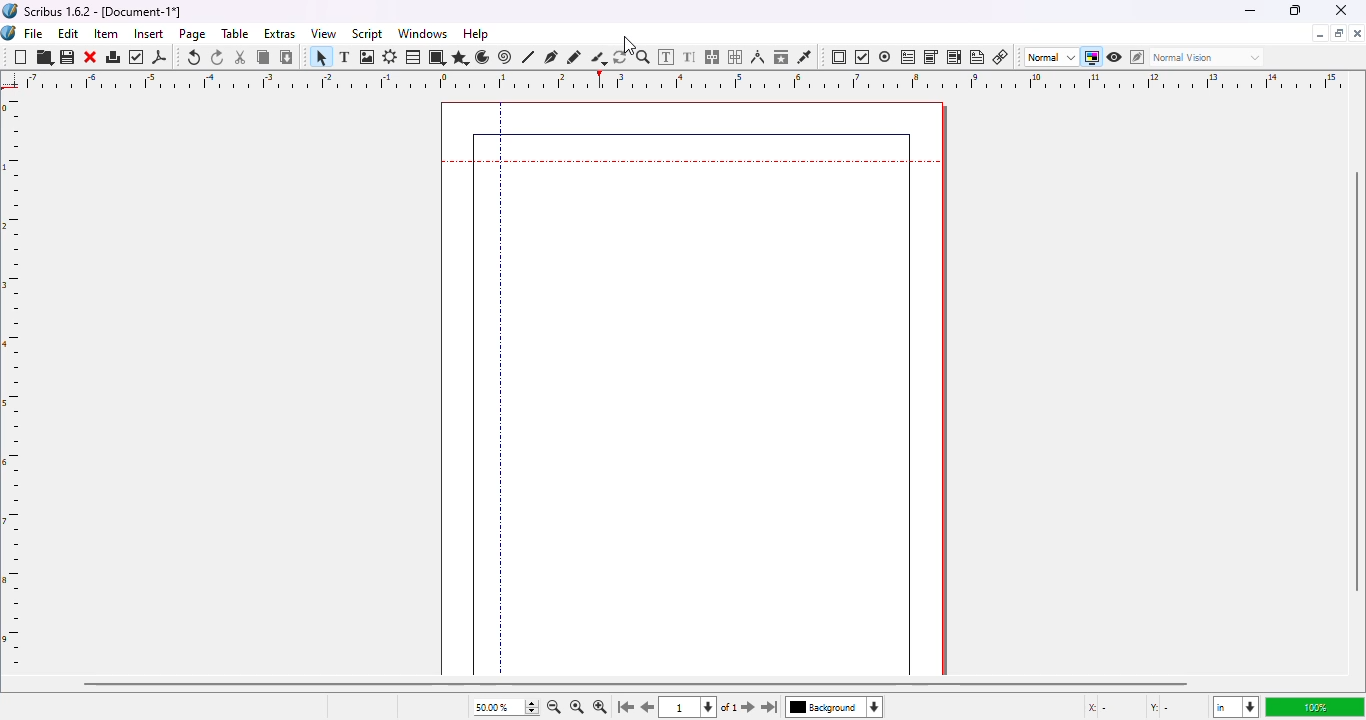 The height and width of the screenshot is (720, 1366). Describe the element at coordinates (773, 709) in the screenshot. I see `go to the last page` at that location.